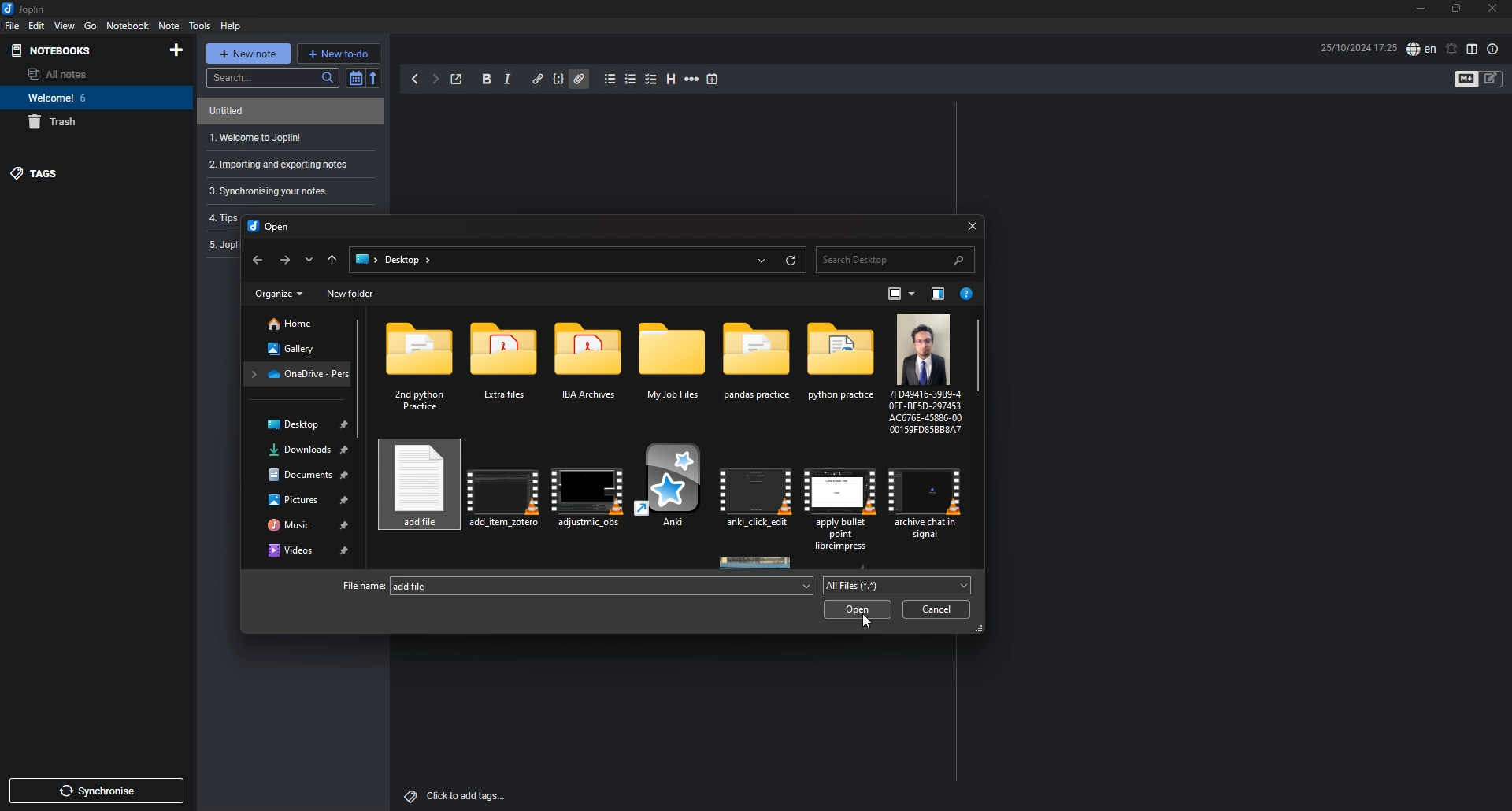 The height and width of the screenshot is (811, 1512). What do you see at coordinates (12, 25) in the screenshot?
I see `file` at bounding box center [12, 25].